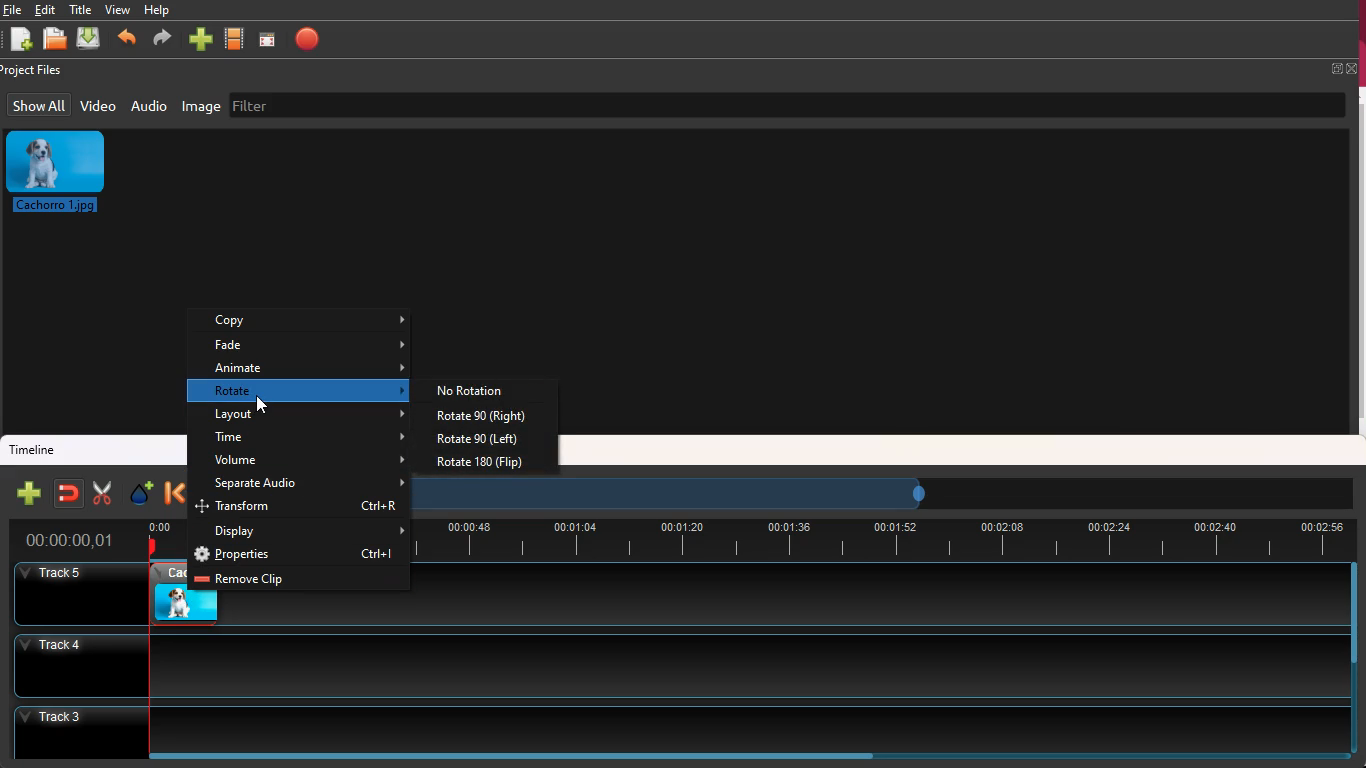 This screenshot has height=768, width=1366. I want to click on remove clip, so click(297, 580).